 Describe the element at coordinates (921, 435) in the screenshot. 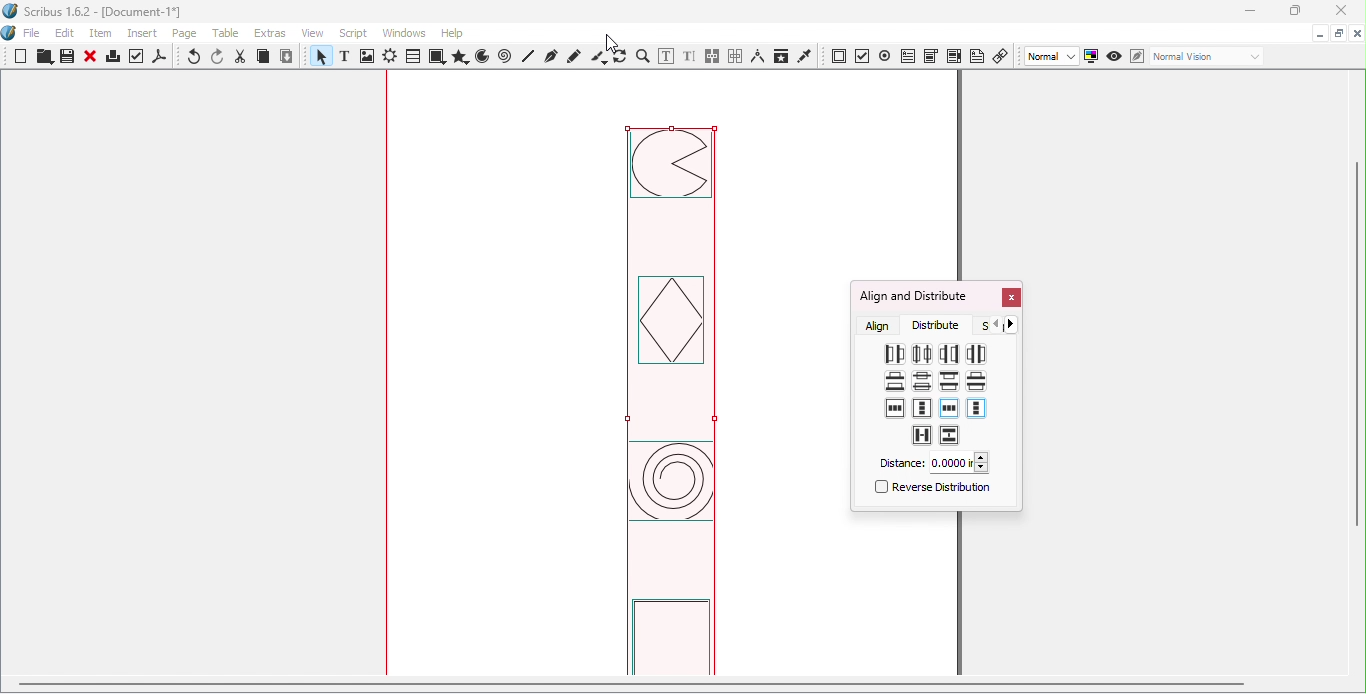

I see `Make horizontal gaps between items equal to the values specified` at that location.